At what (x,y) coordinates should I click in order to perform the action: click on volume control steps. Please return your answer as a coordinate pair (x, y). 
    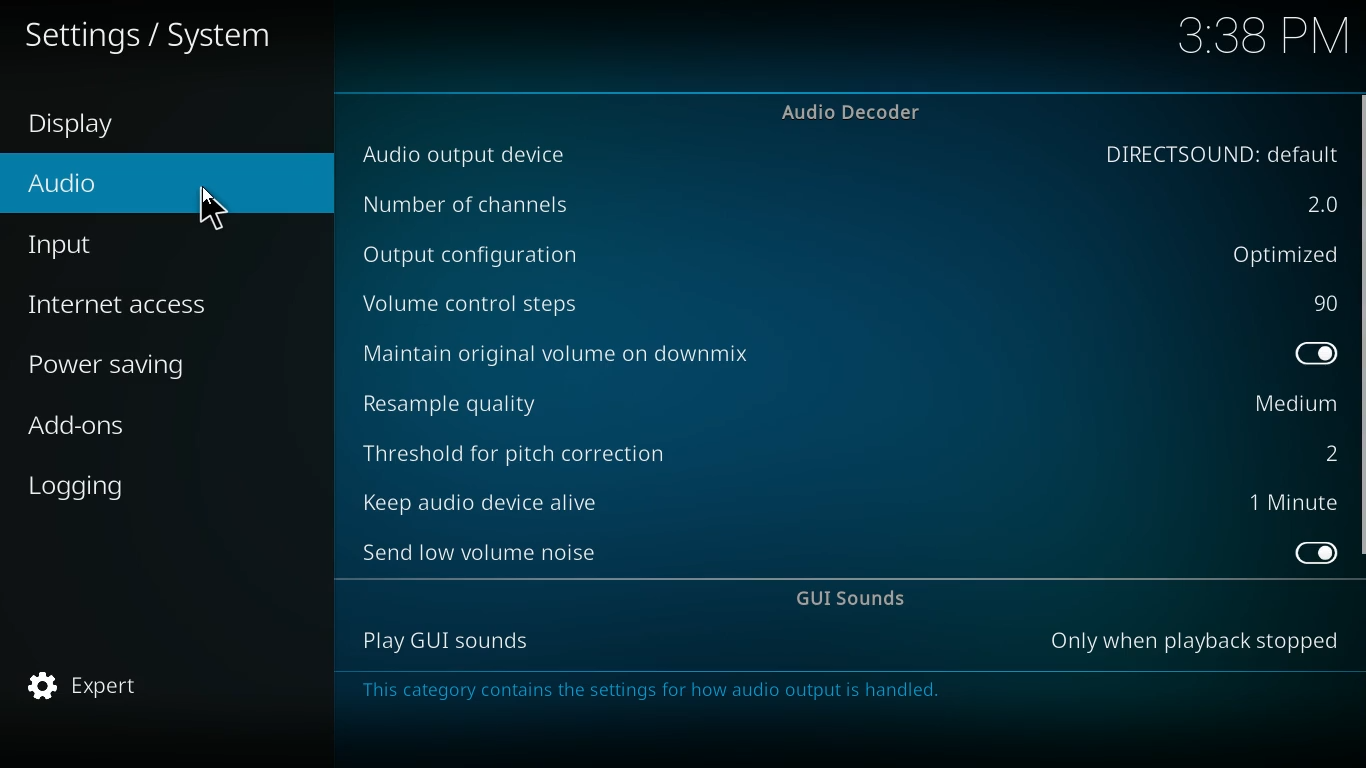
    Looking at the image, I should click on (494, 302).